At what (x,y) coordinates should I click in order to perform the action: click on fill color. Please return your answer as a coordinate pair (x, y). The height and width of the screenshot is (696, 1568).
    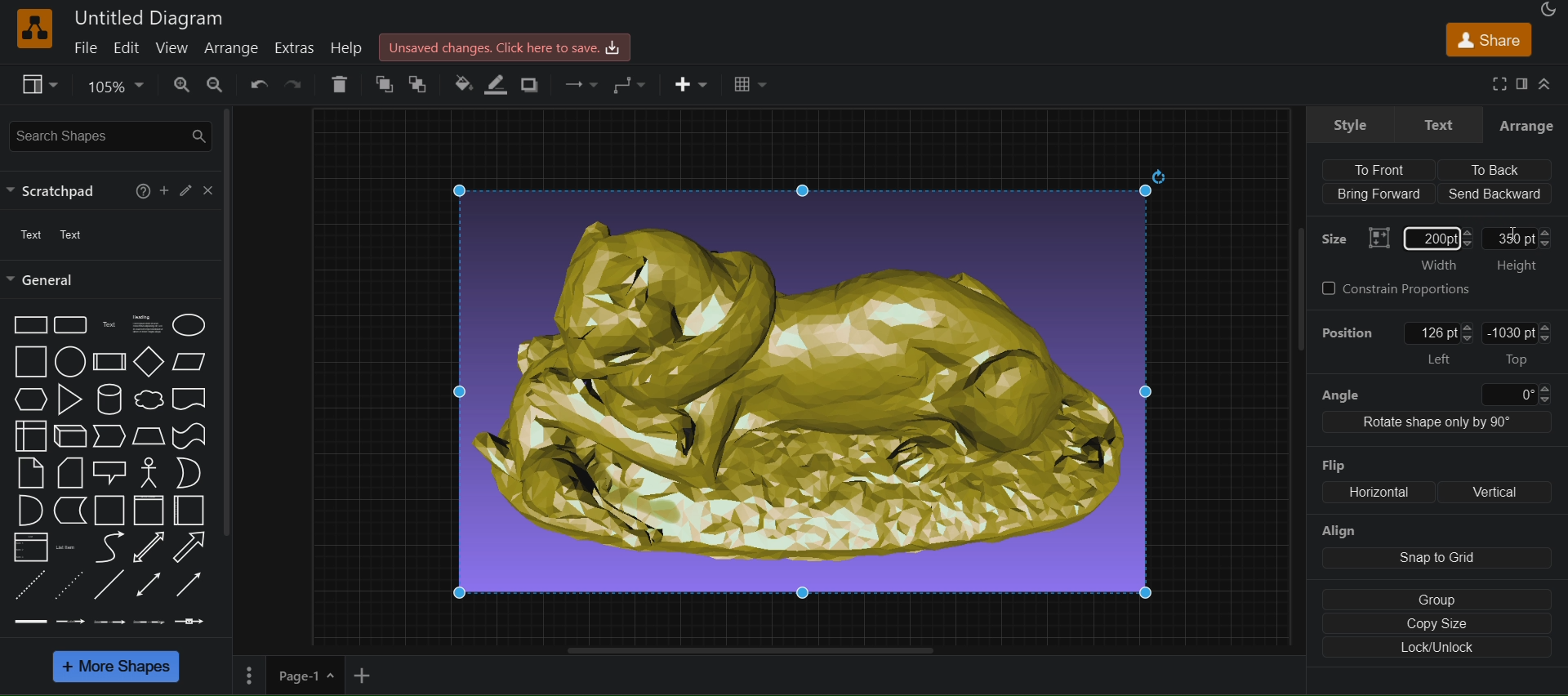
    Looking at the image, I should click on (462, 85).